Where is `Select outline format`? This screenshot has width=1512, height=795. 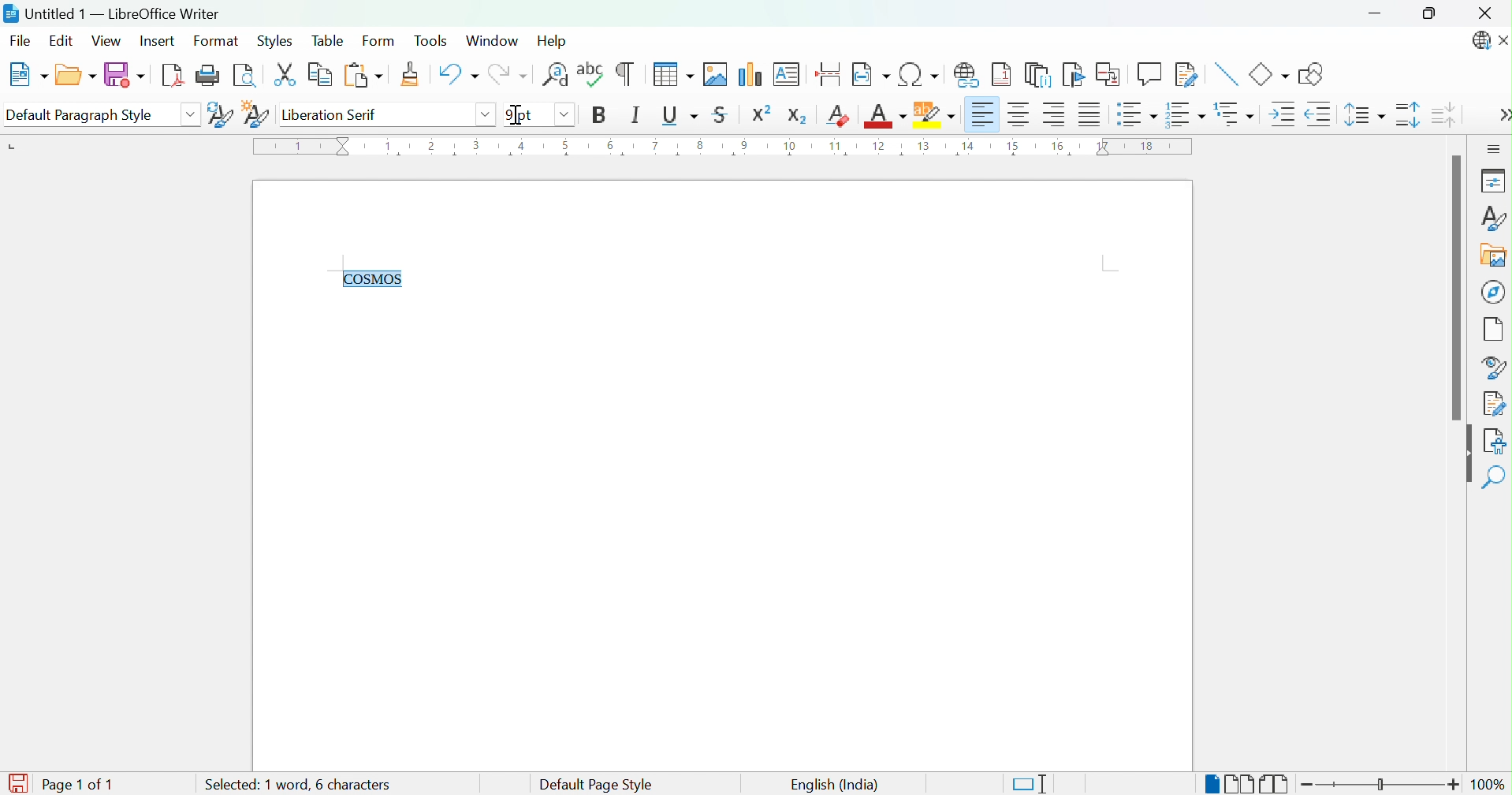 Select outline format is located at coordinates (1236, 115).